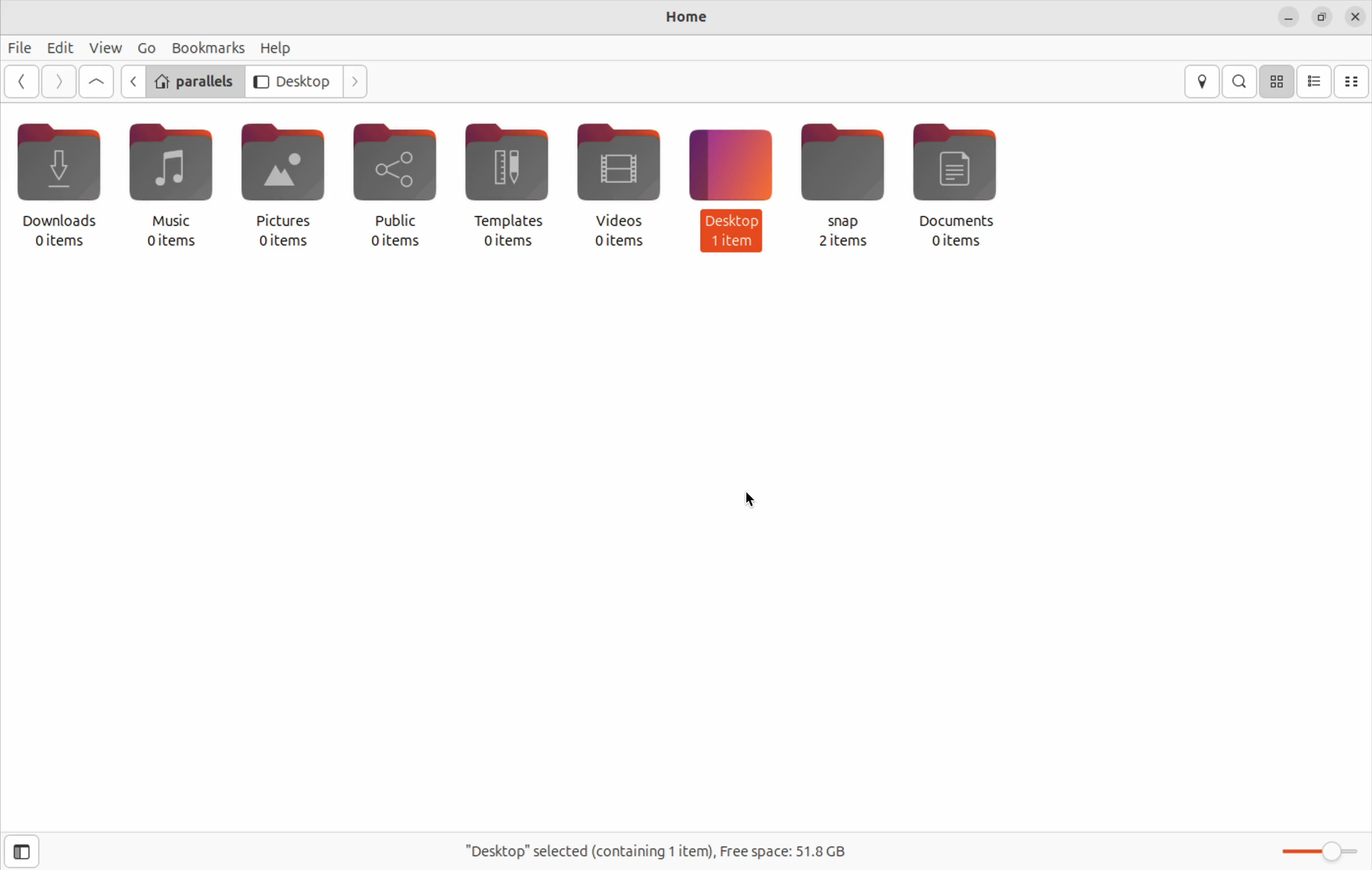 The image size is (1372, 870). I want to click on Go, so click(144, 47).